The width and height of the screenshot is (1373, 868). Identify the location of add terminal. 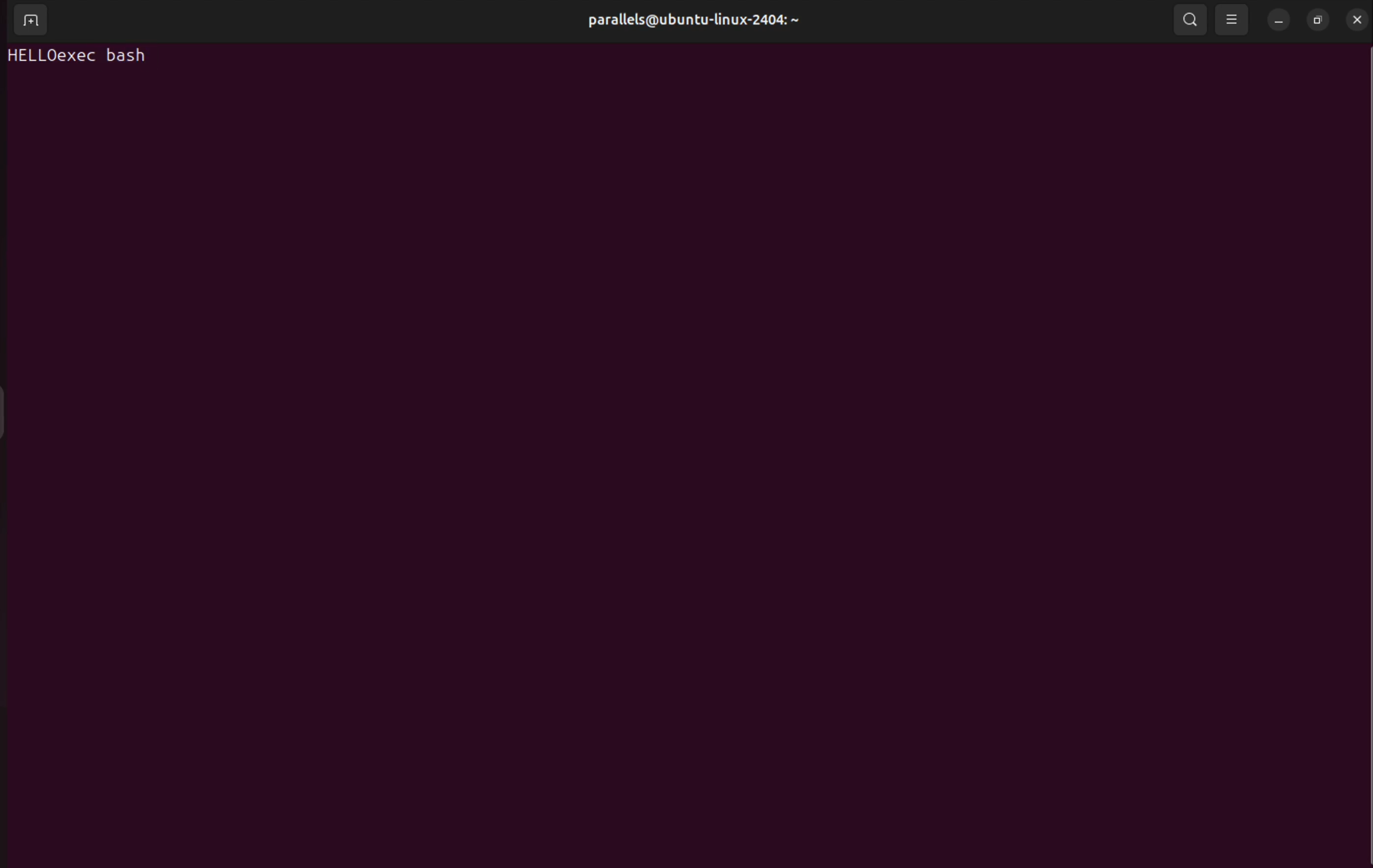
(32, 22).